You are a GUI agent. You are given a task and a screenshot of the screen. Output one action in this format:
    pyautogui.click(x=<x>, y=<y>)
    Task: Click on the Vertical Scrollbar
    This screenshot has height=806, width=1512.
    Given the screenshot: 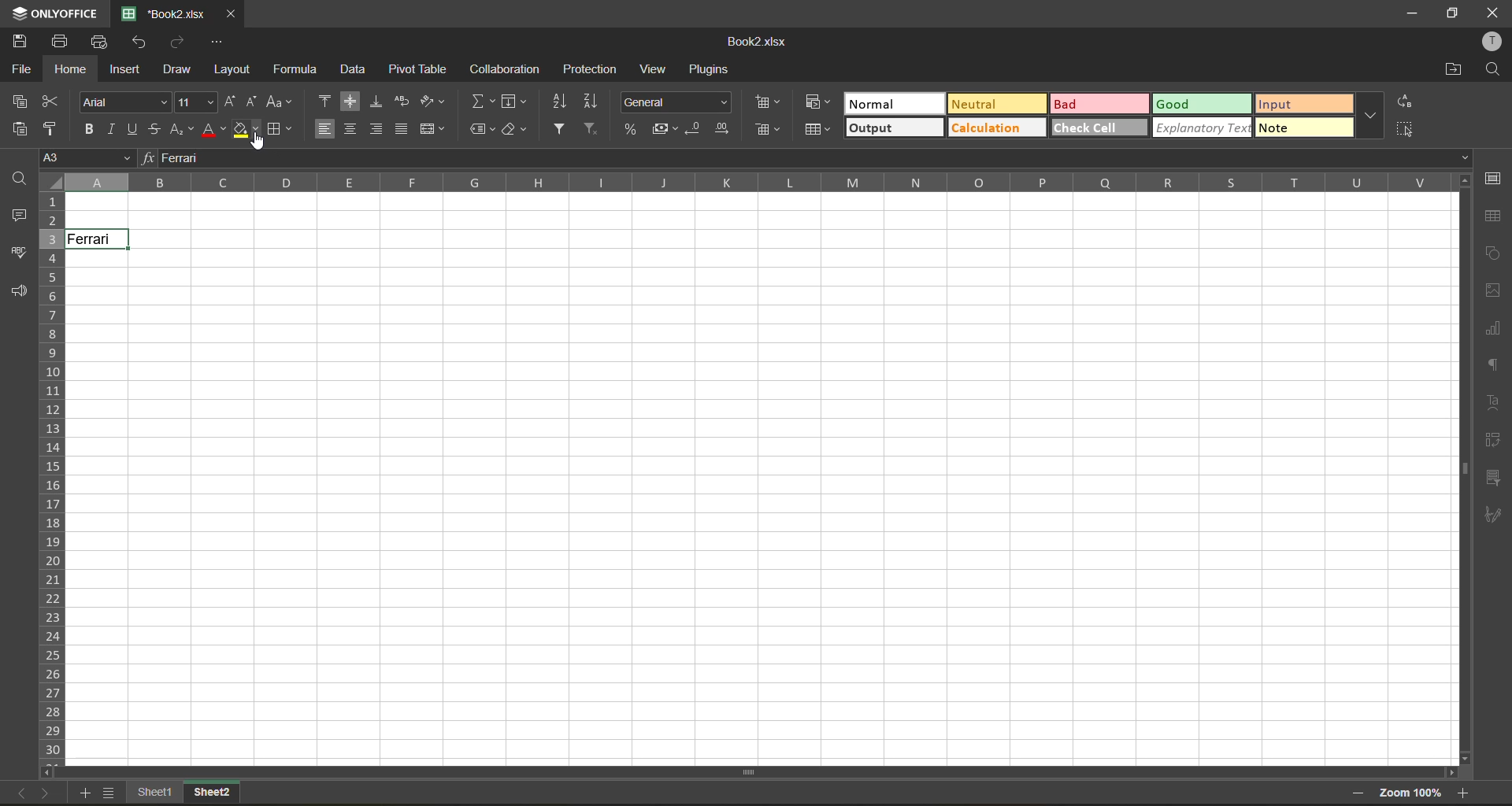 What is the action you would take?
    pyautogui.click(x=1462, y=469)
    